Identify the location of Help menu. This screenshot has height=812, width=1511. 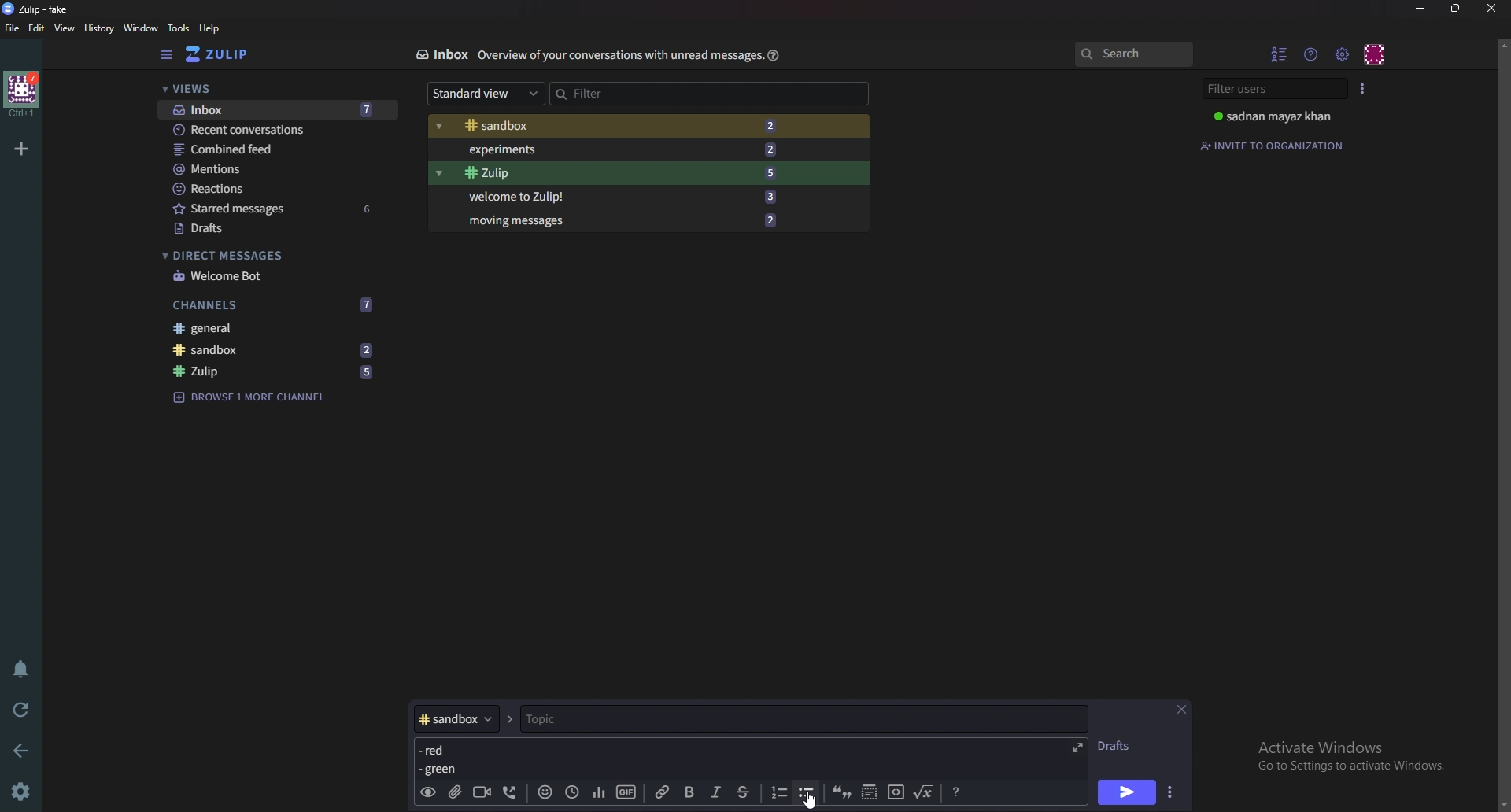
(1312, 54).